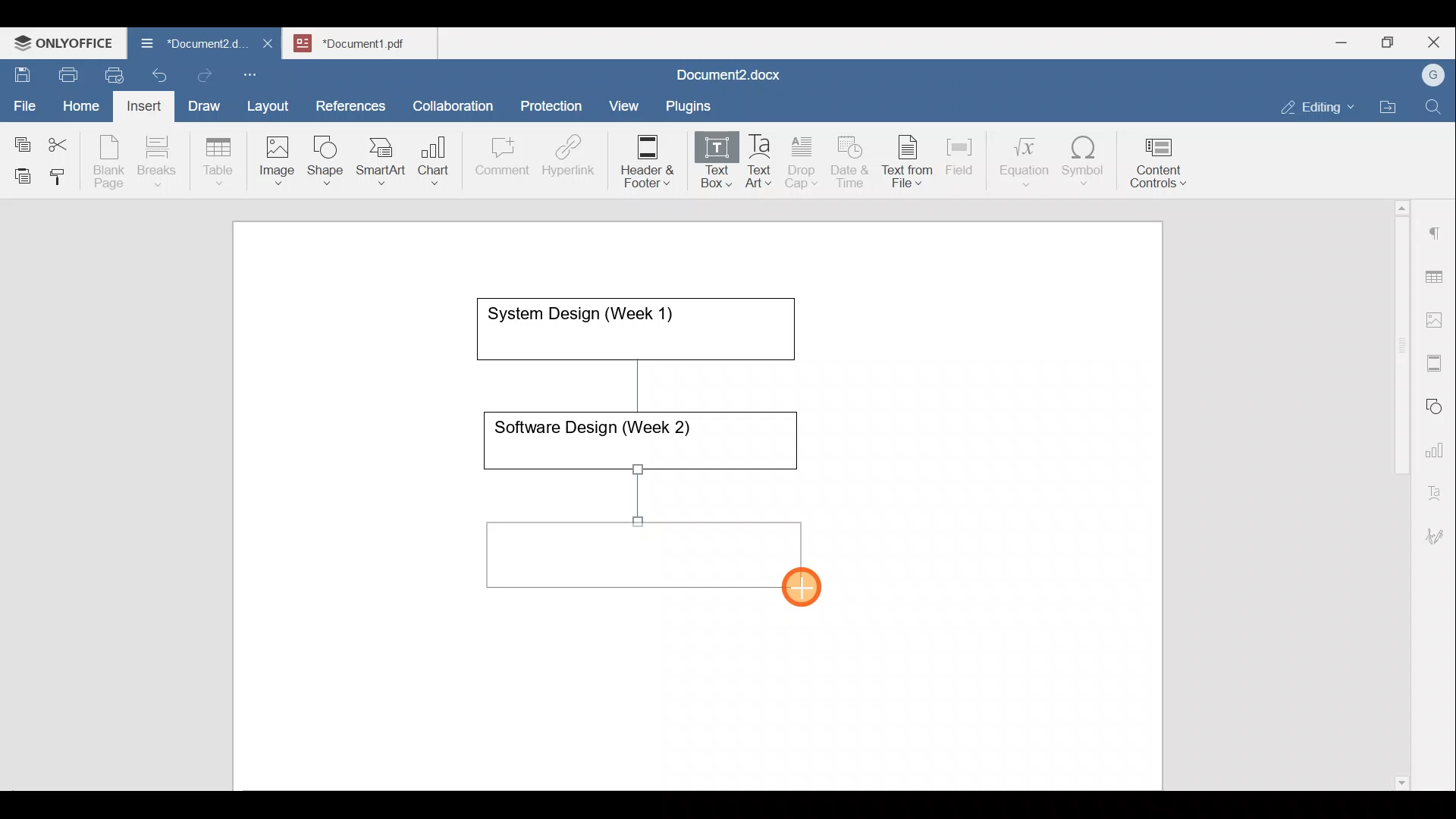 This screenshot has height=819, width=1456. Describe the element at coordinates (156, 73) in the screenshot. I see `Undo` at that location.